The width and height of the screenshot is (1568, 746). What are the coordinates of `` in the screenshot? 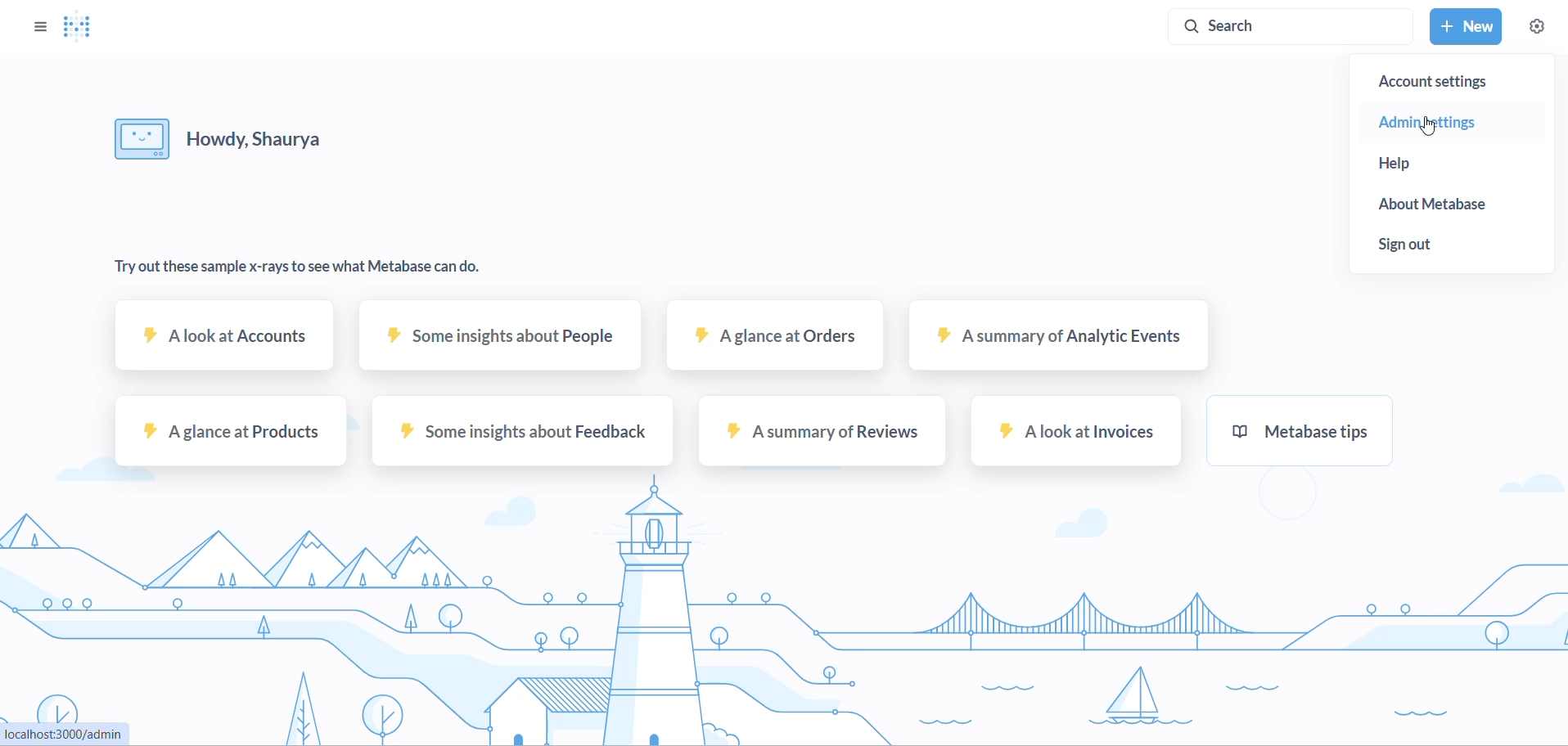 It's located at (1467, 28).